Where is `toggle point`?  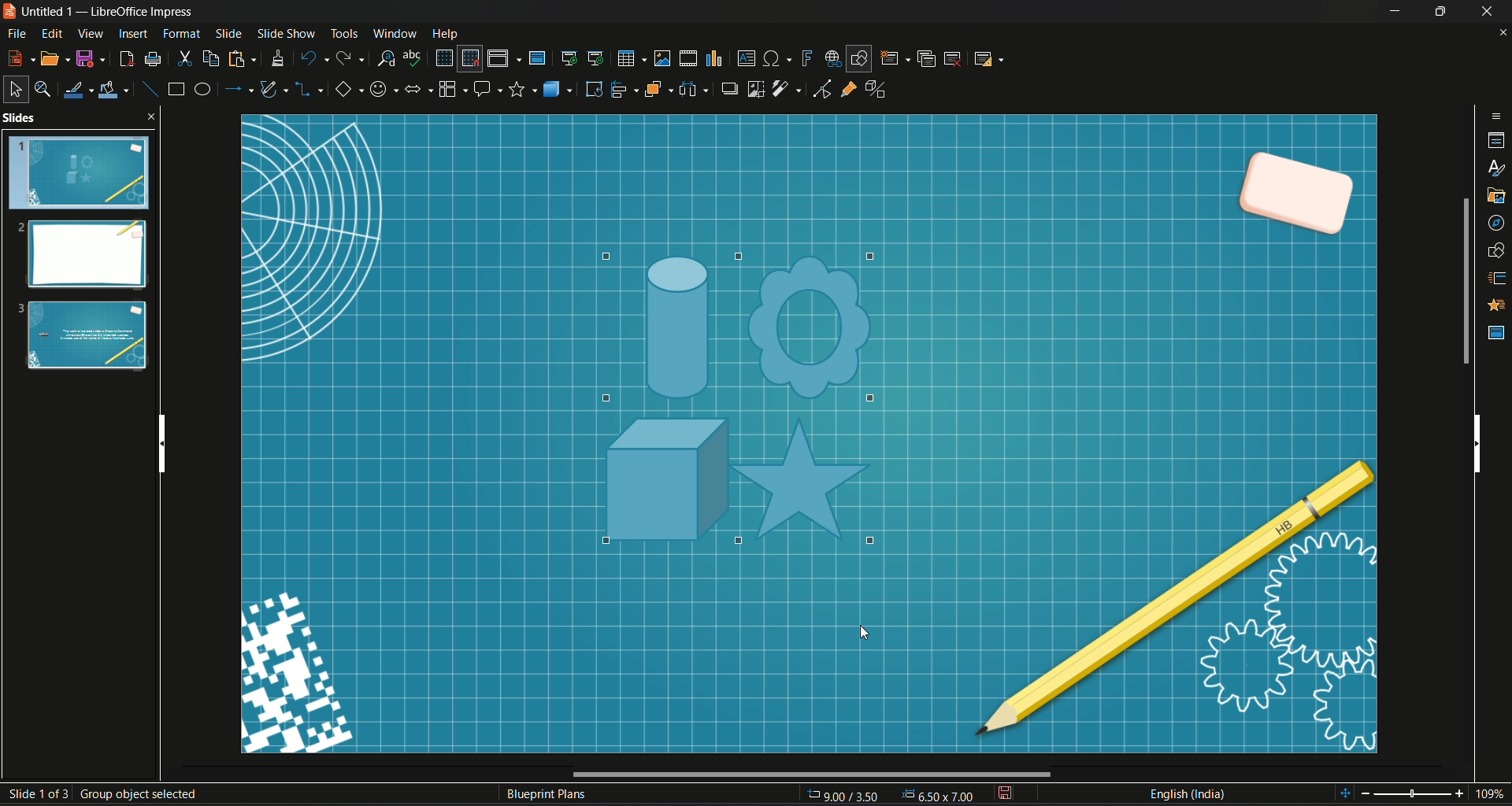 toggle point is located at coordinates (820, 91).